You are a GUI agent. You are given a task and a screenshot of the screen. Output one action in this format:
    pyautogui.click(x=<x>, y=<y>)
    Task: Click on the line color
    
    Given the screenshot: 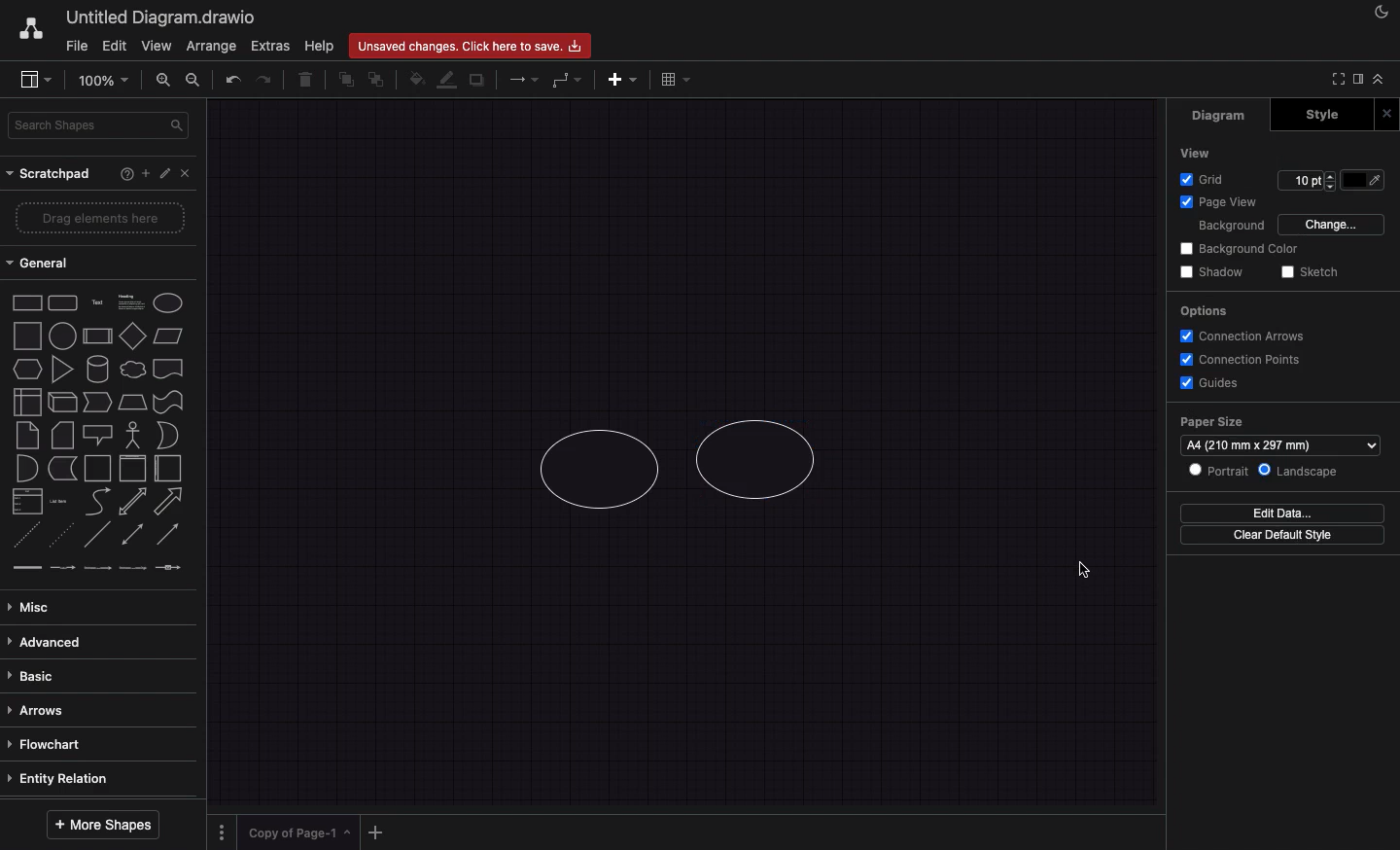 What is the action you would take?
    pyautogui.click(x=445, y=79)
    